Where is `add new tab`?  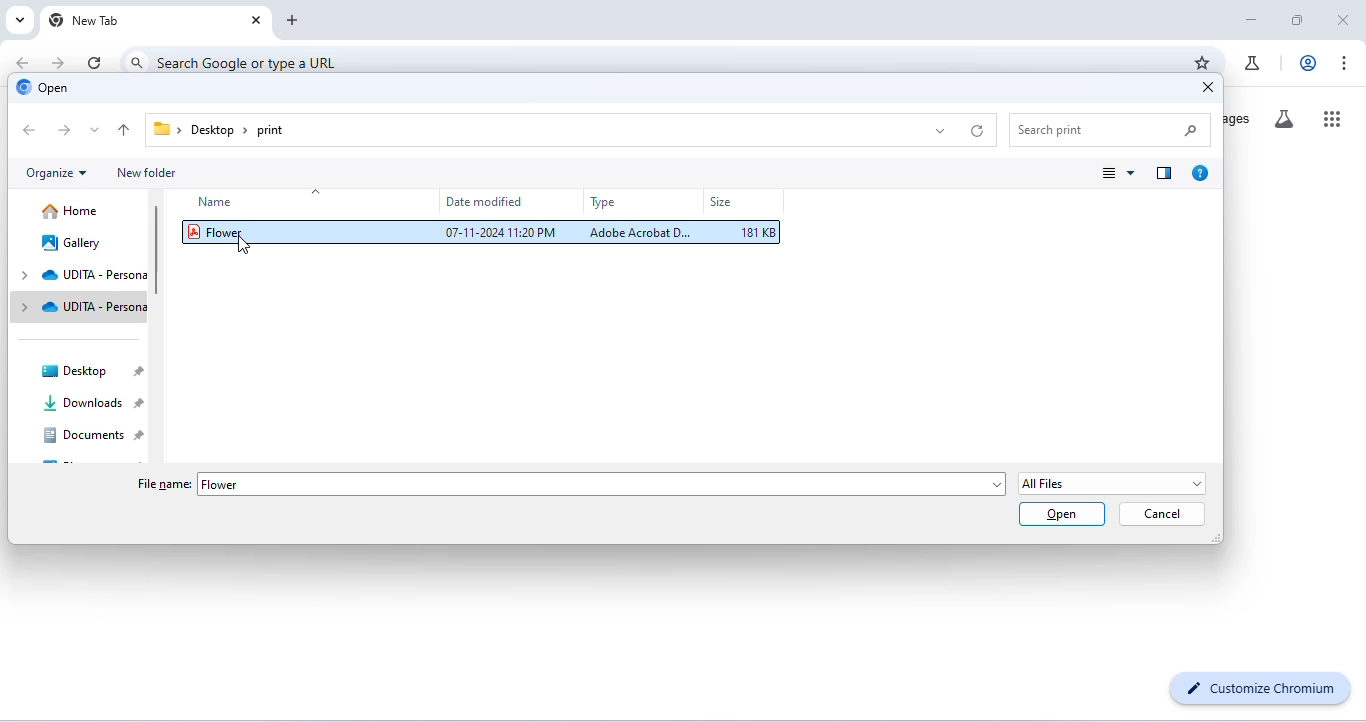 add new tab is located at coordinates (295, 21).